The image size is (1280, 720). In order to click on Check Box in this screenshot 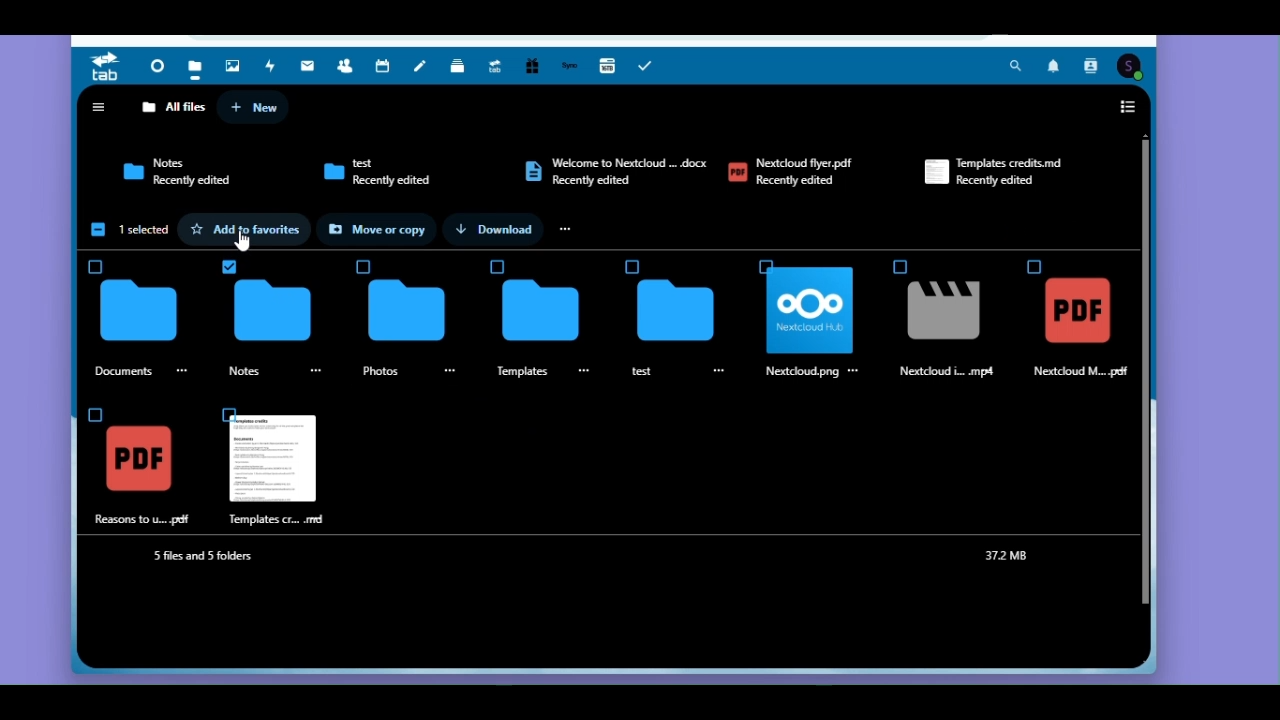, I will do `click(228, 412)`.